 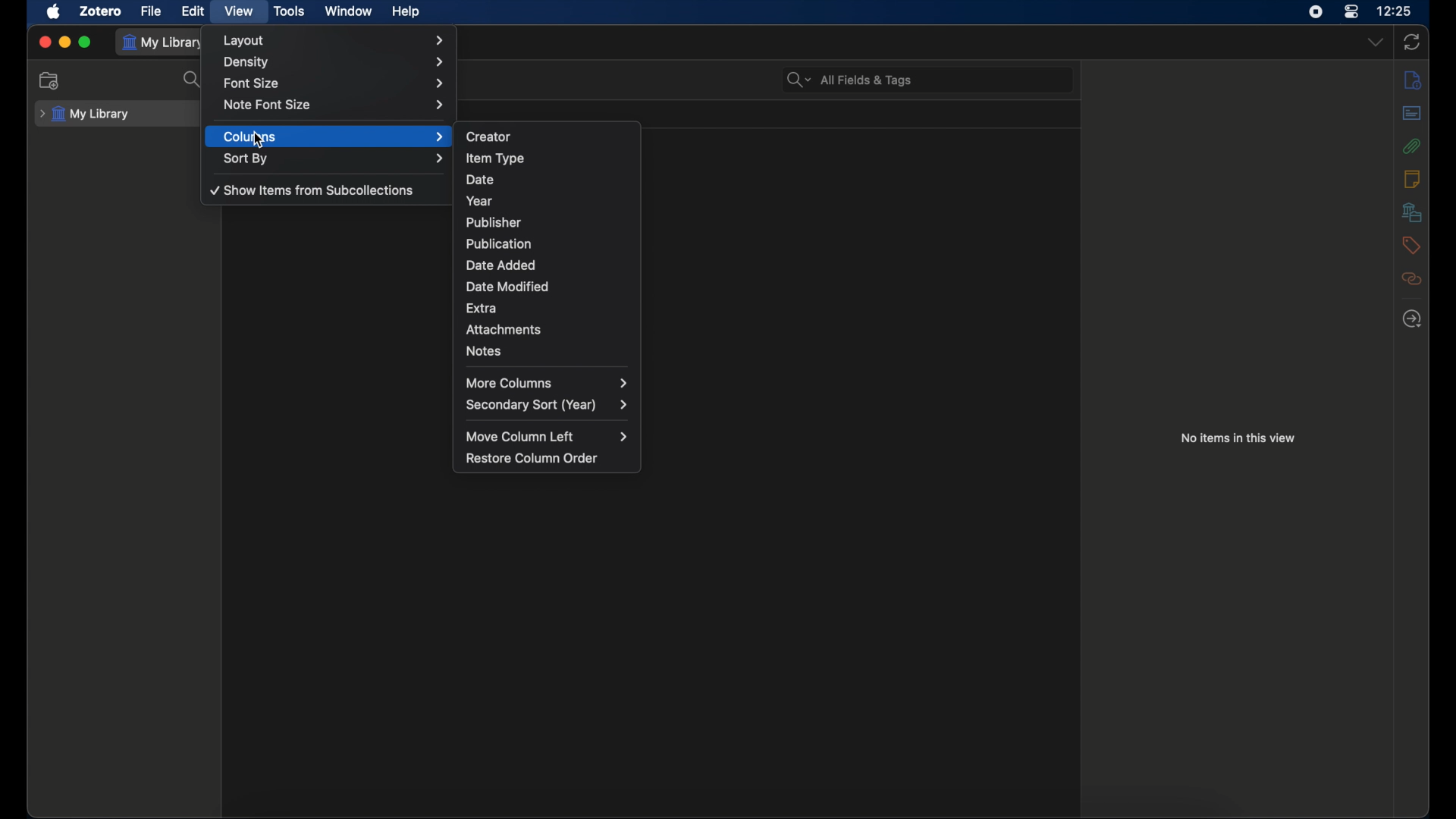 What do you see at coordinates (548, 406) in the screenshot?
I see `secondary sort` at bounding box center [548, 406].